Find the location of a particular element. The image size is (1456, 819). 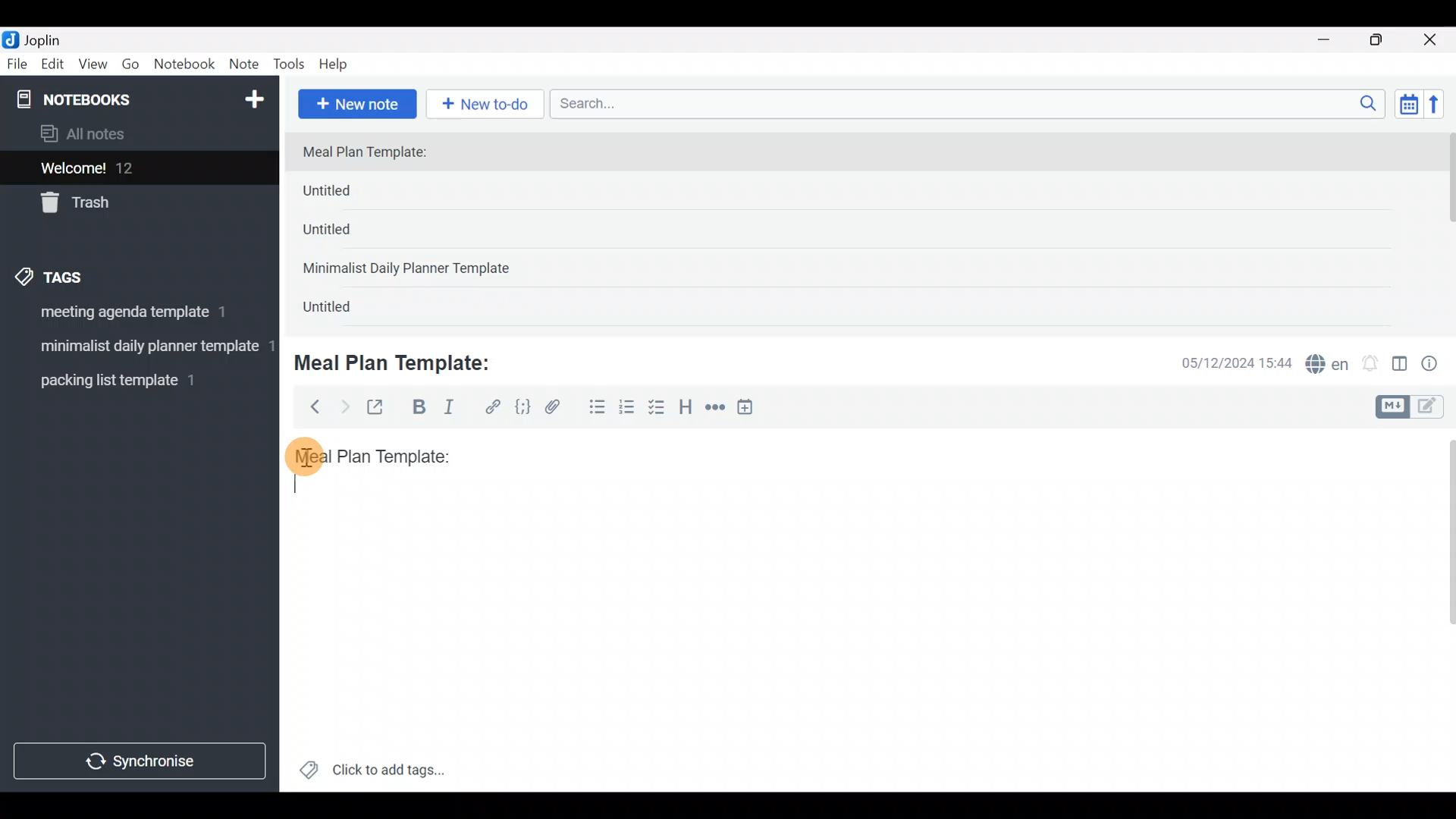

Notebook is located at coordinates (185, 64).